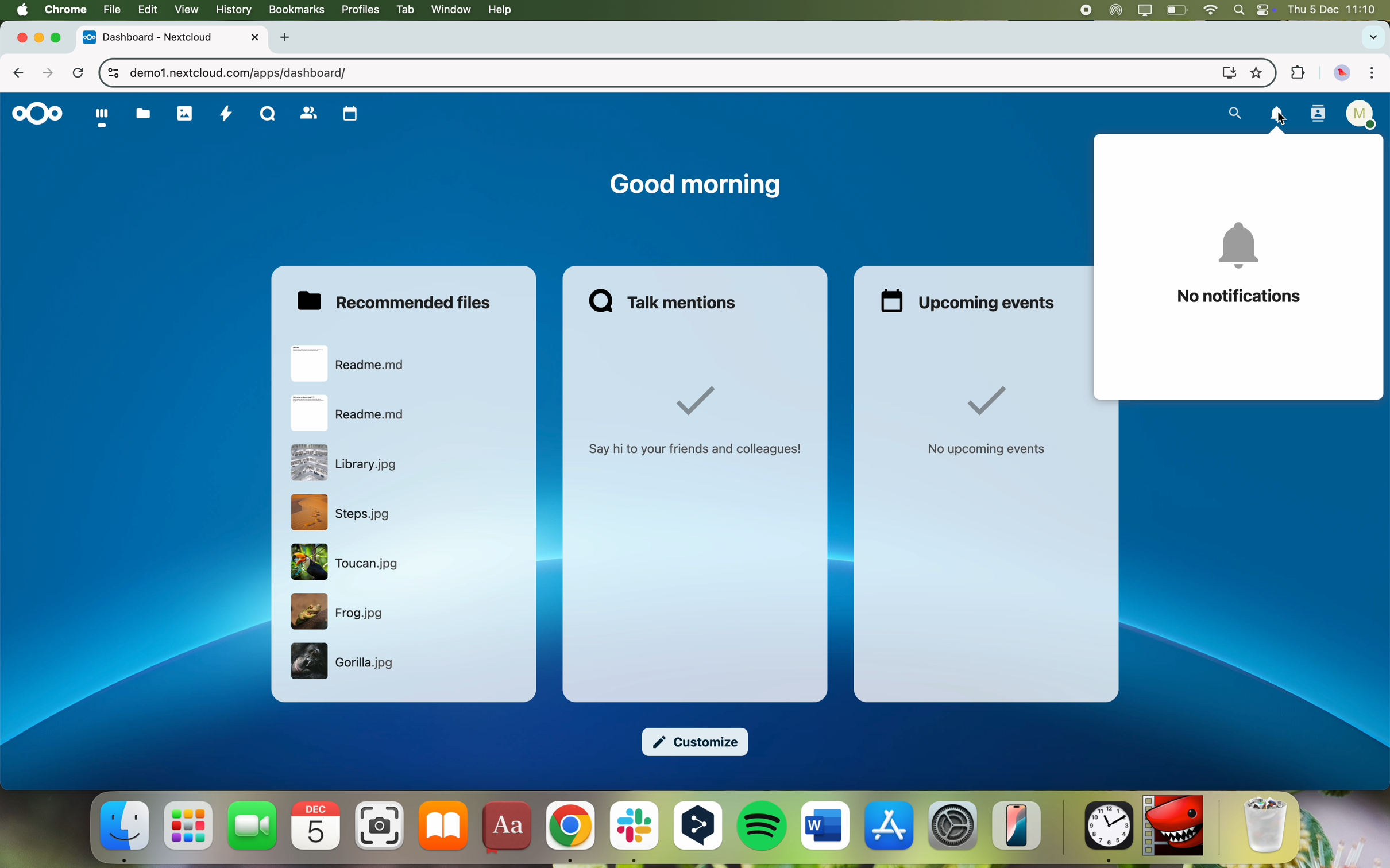 The image size is (1390, 868). I want to click on controls, so click(109, 74).